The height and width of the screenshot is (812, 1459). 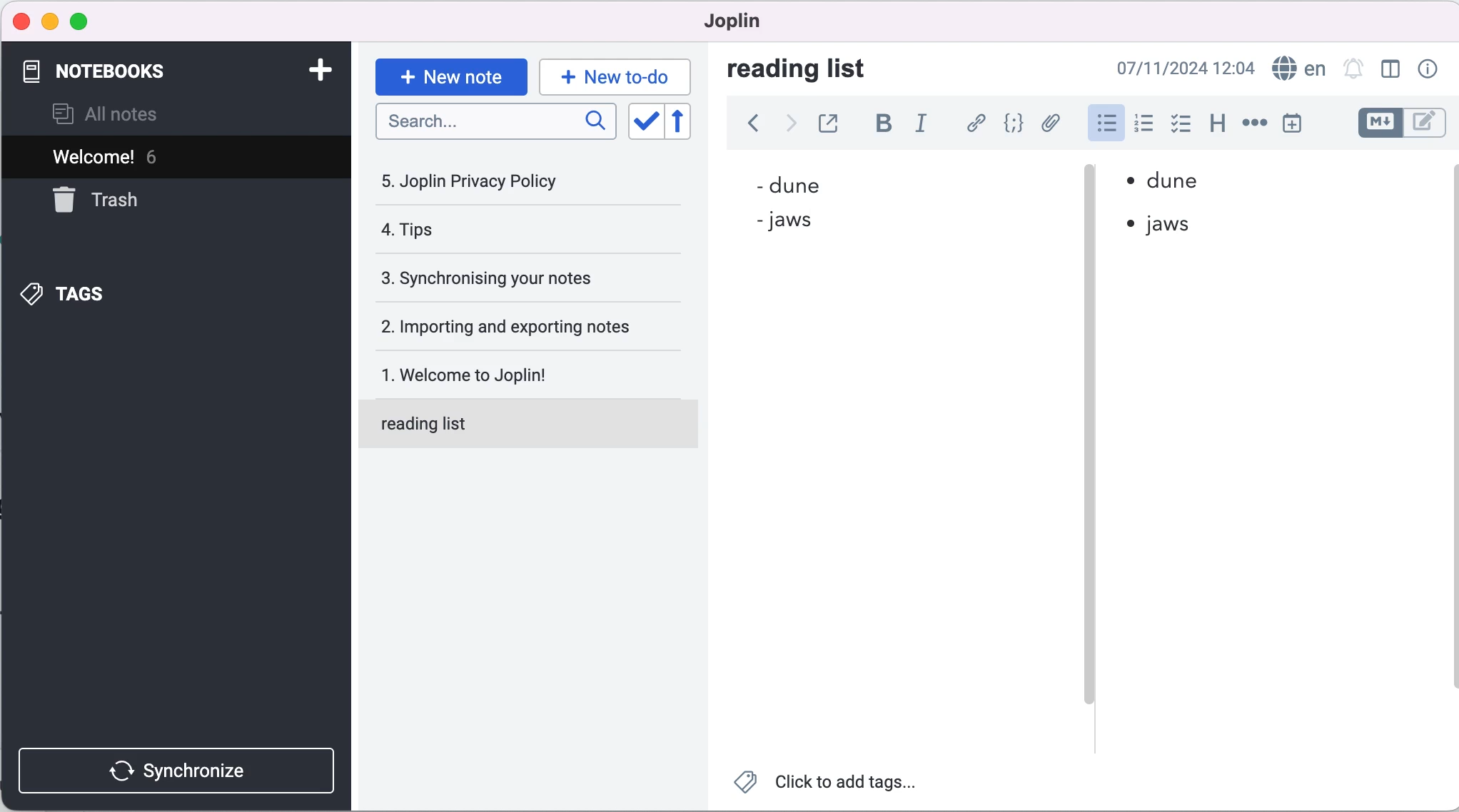 What do you see at coordinates (1298, 68) in the screenshot?
I see `language` at bounding box center [1298, 68].